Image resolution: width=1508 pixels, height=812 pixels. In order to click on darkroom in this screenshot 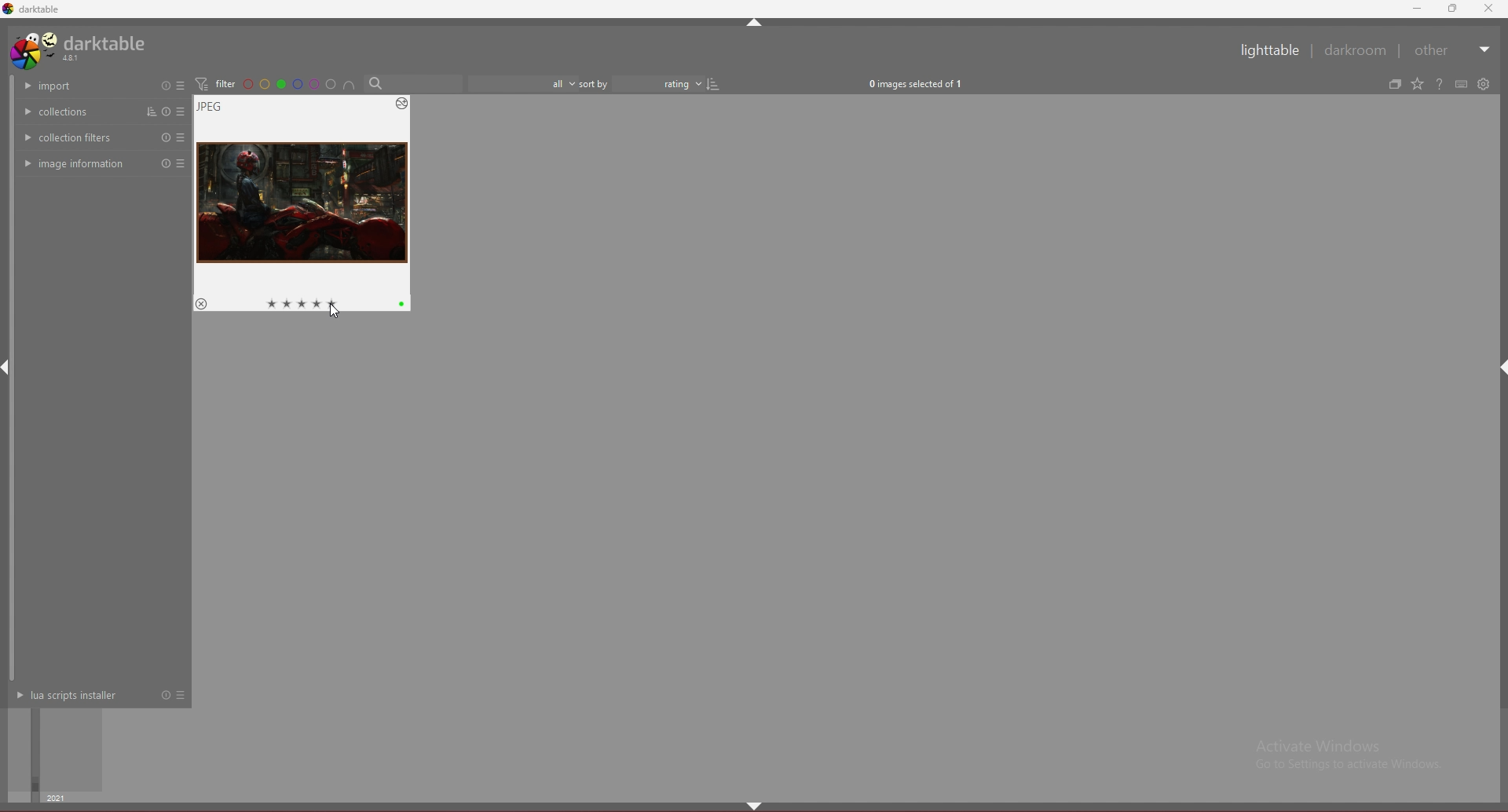, I will do `click(1356, 51)`.